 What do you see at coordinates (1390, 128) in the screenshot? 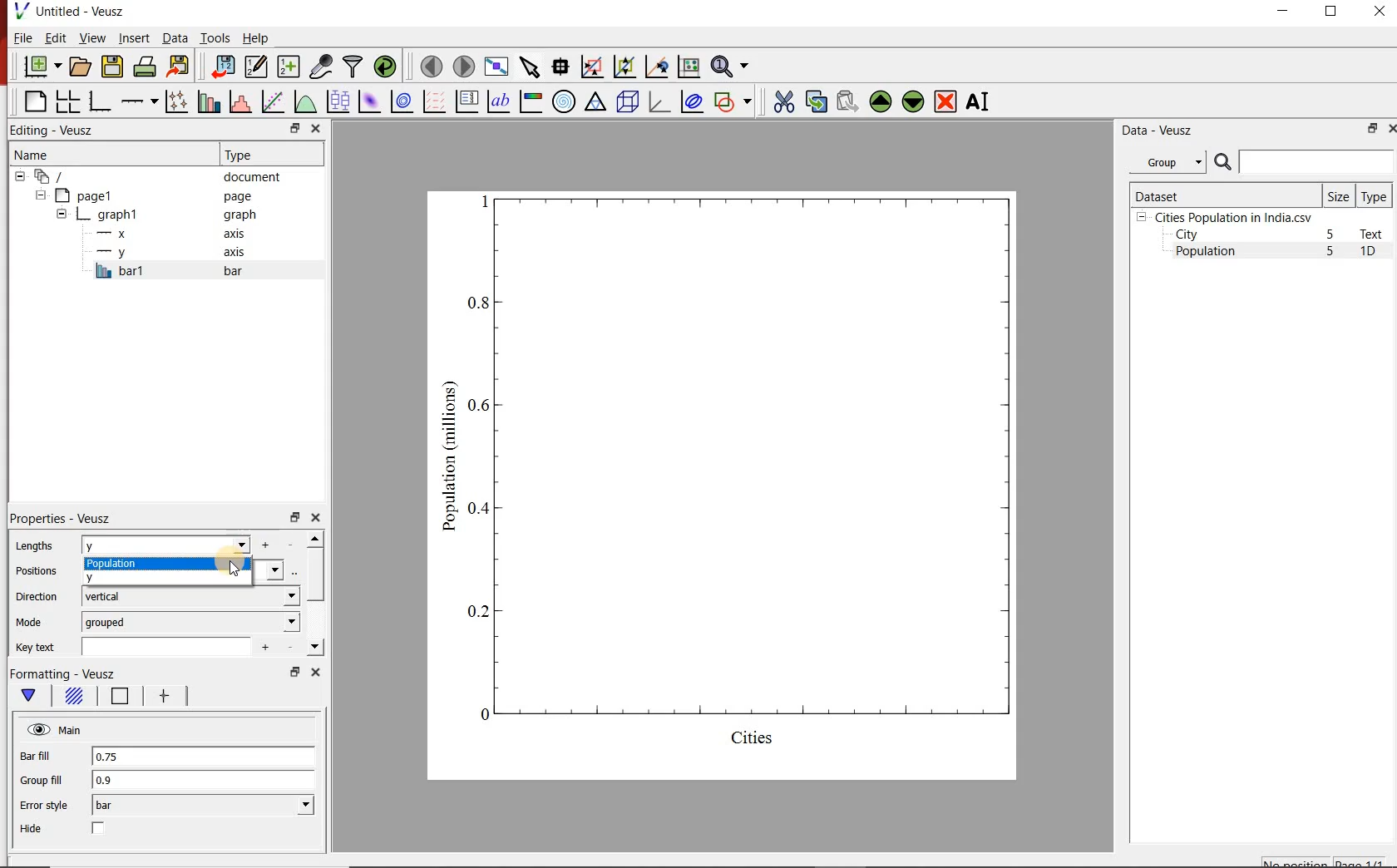
I see `close` at bounding box center [1390, 128].